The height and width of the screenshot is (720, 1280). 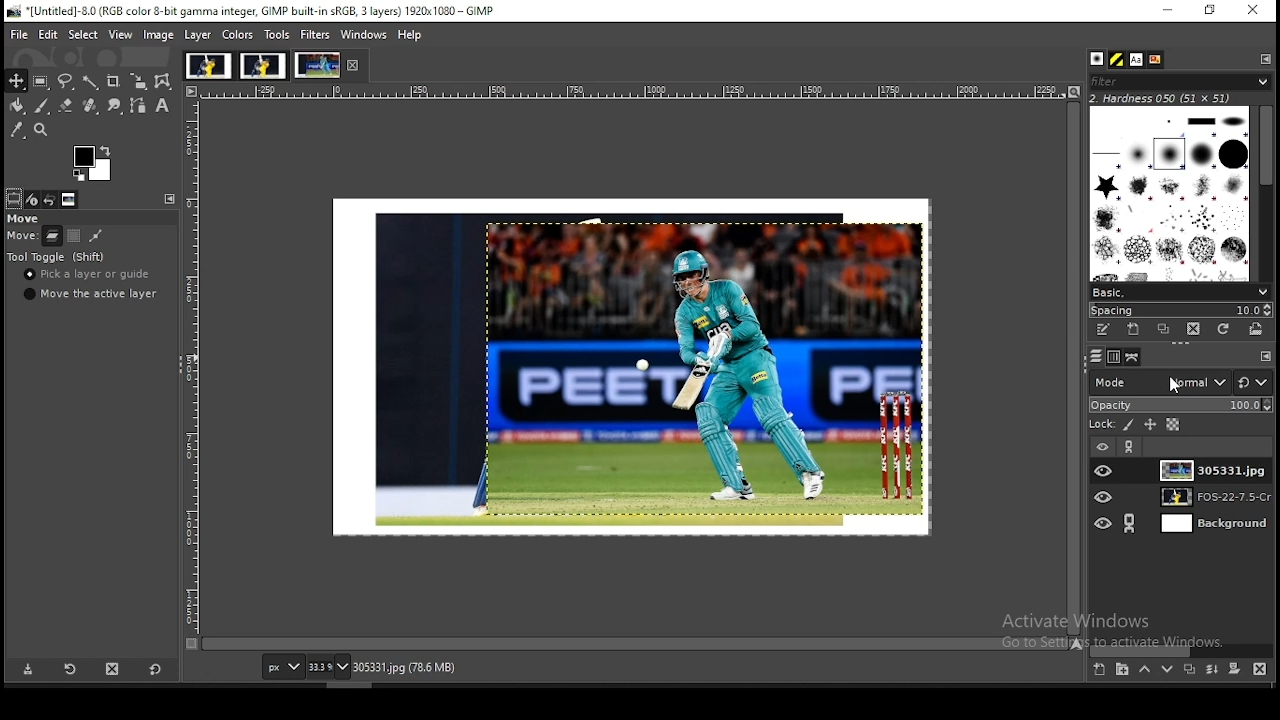 I want to click on units, so click(x=282, y=666).